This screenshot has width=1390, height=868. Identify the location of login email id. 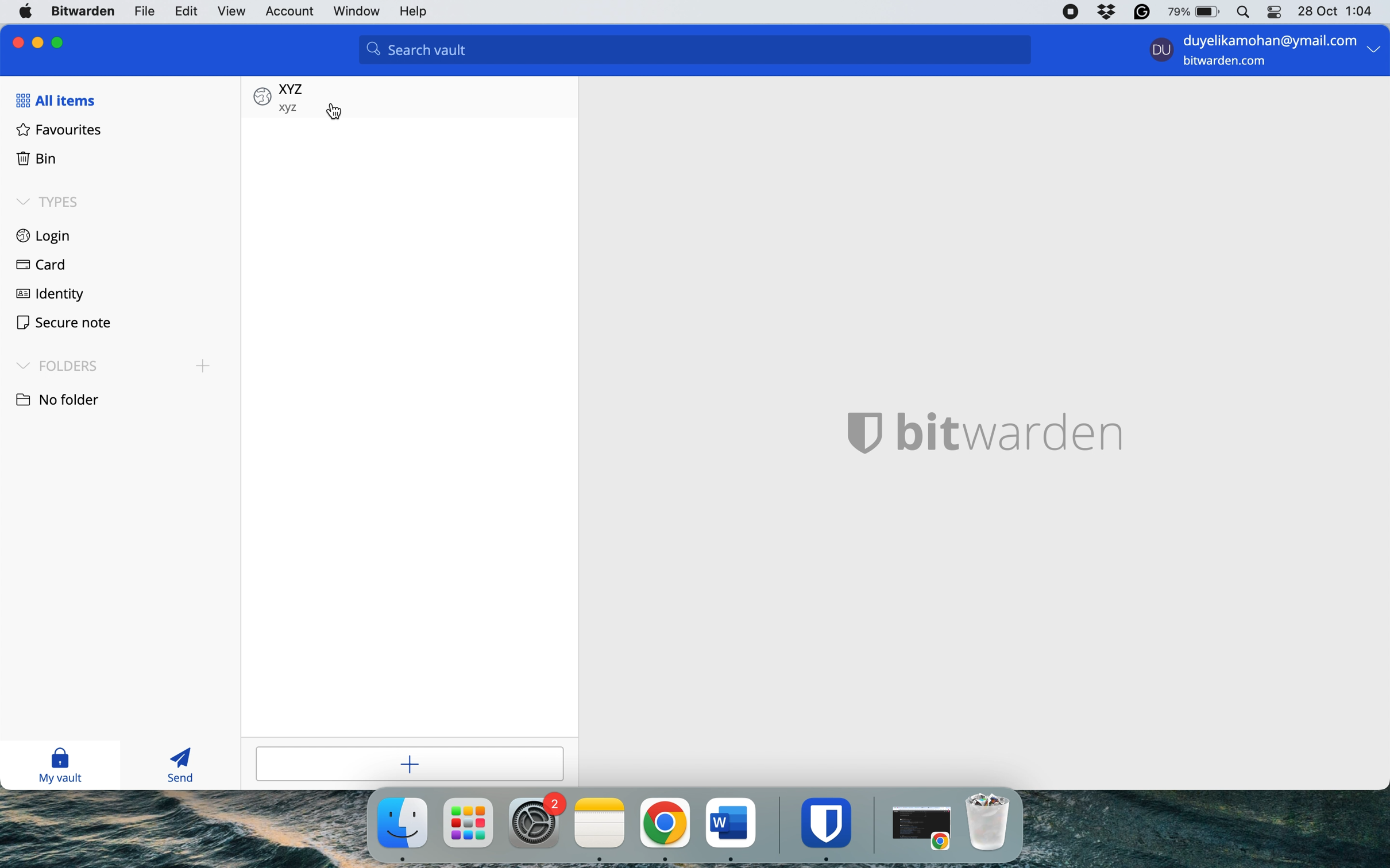
(1265, 38).